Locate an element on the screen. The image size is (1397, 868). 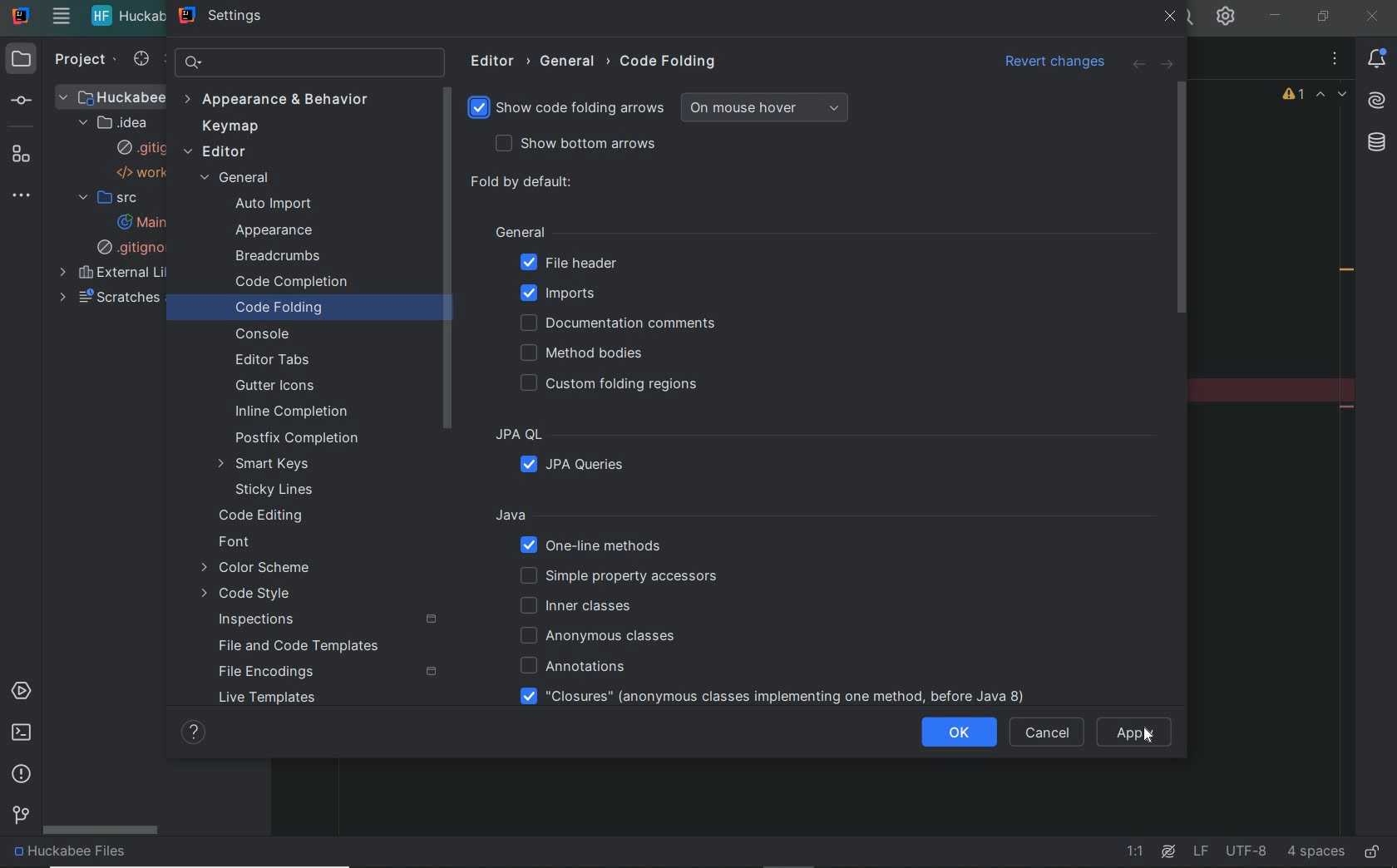
gutter icons is located at coordinates (283, 386).